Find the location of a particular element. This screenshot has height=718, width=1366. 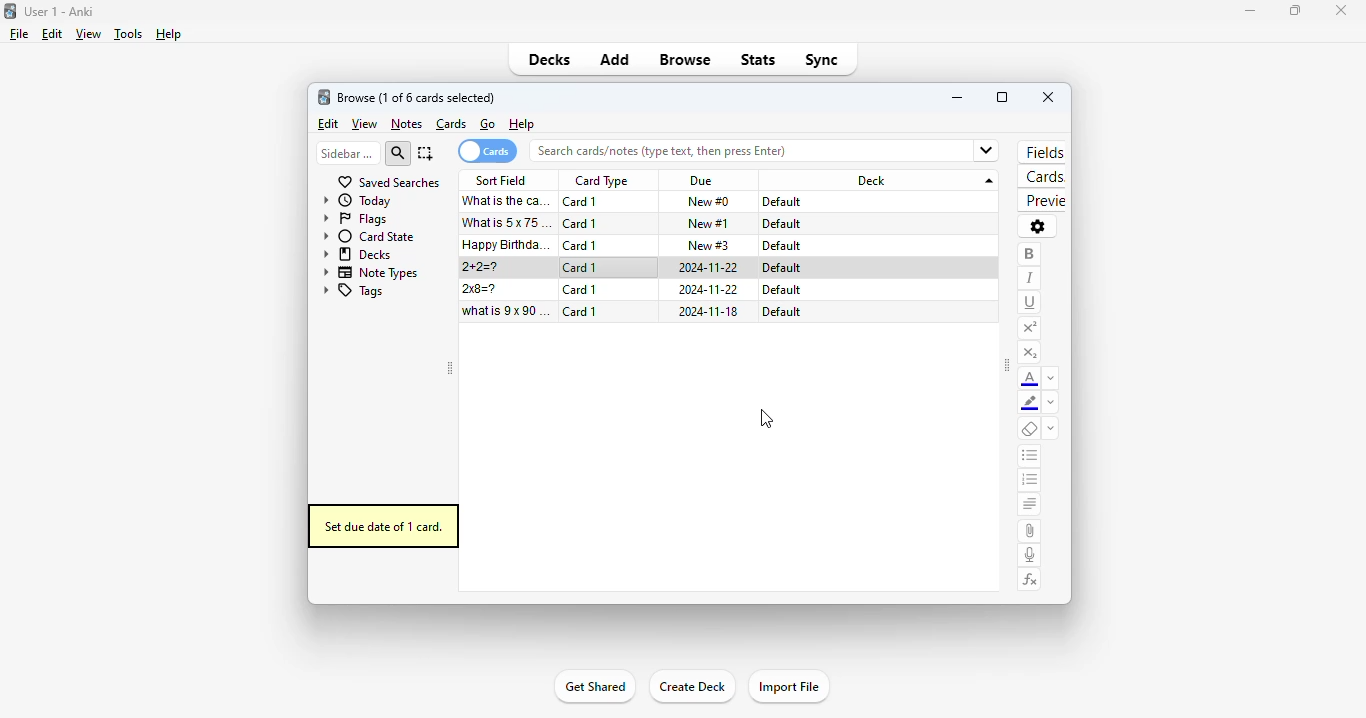

cards is located at coordinates (1042, 178).